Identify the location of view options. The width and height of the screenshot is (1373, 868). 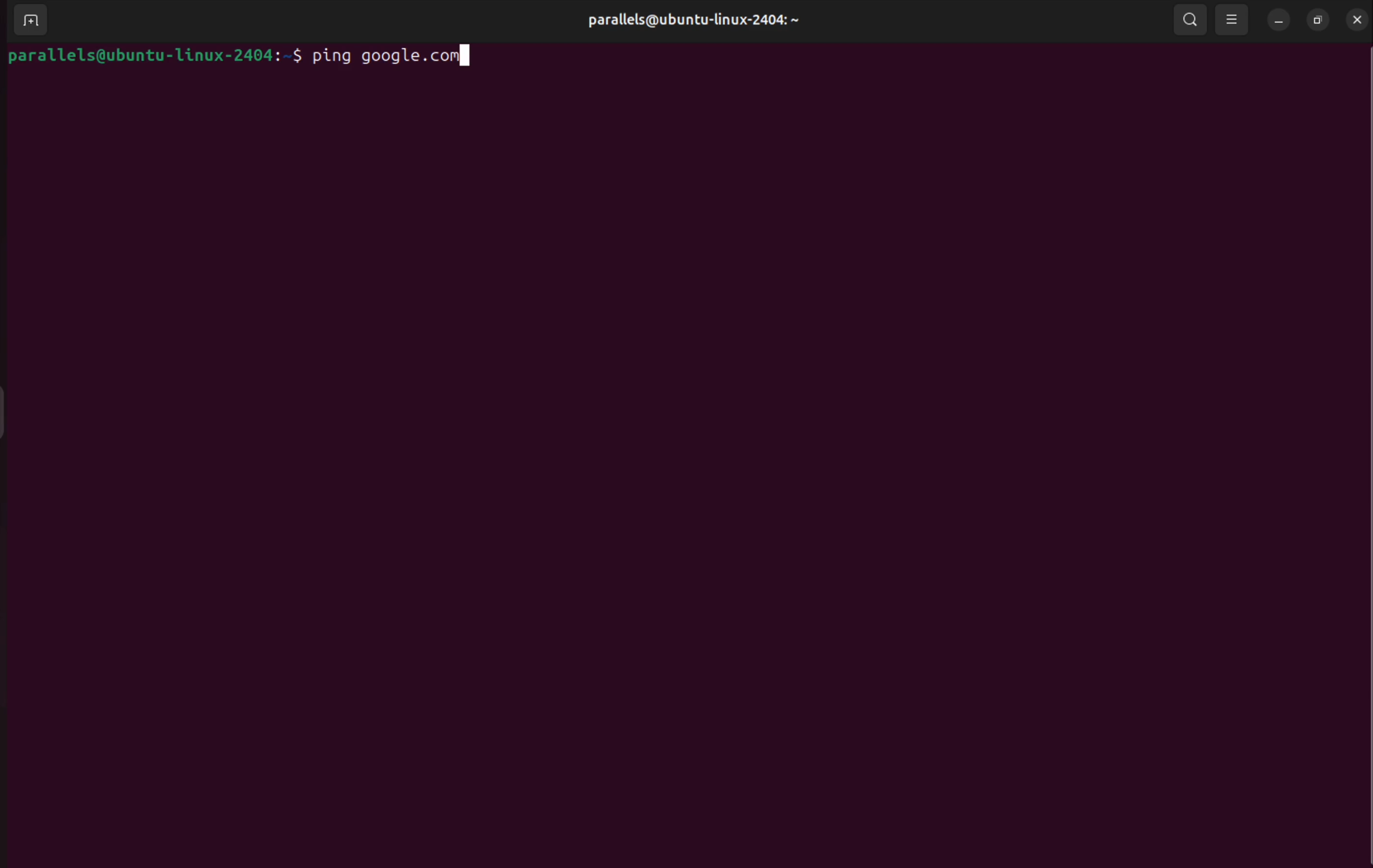
(1231, 19).